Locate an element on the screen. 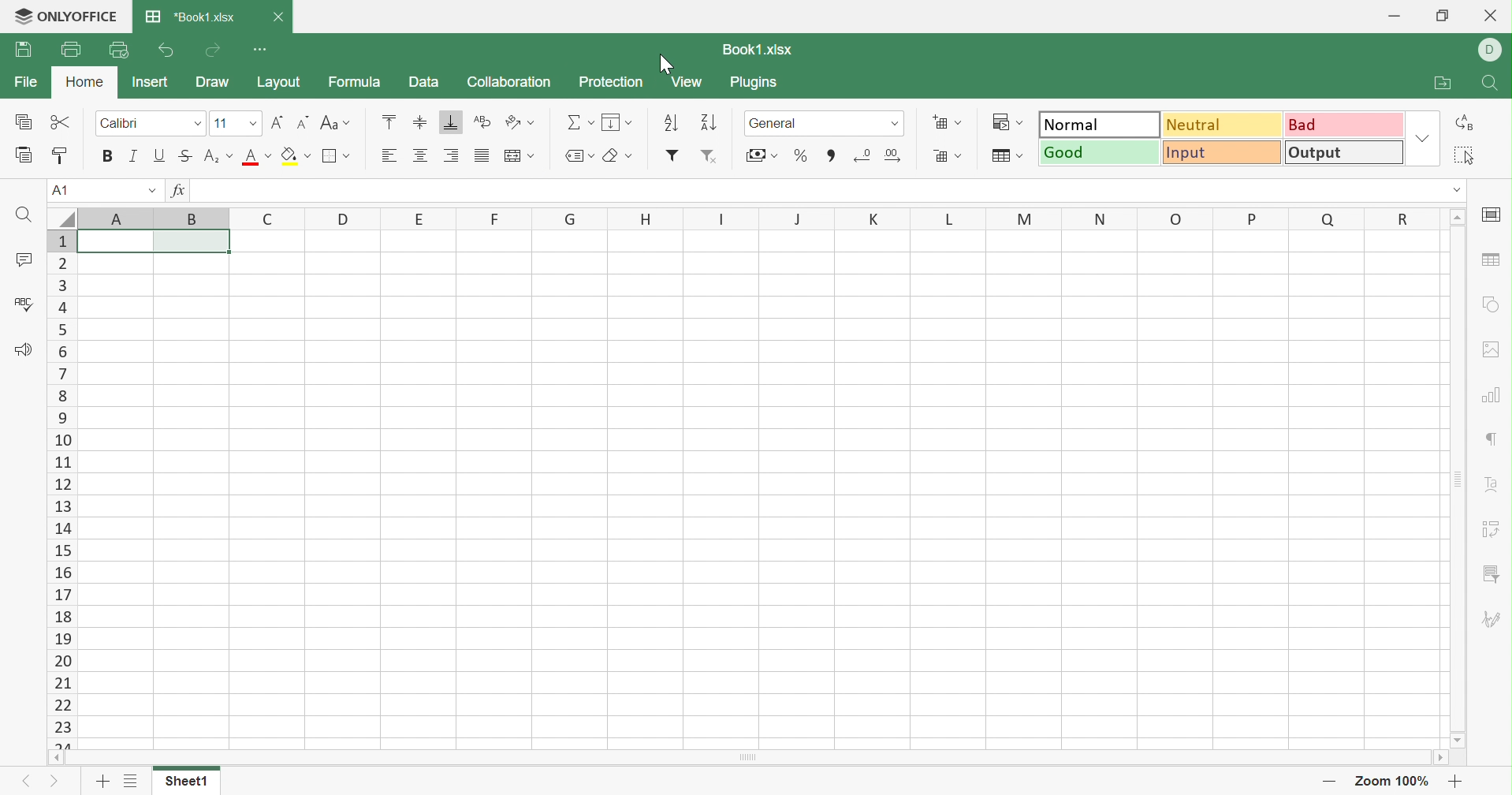 The image size is (1512, 795). Drop Down is located at coordinates (198, 123).